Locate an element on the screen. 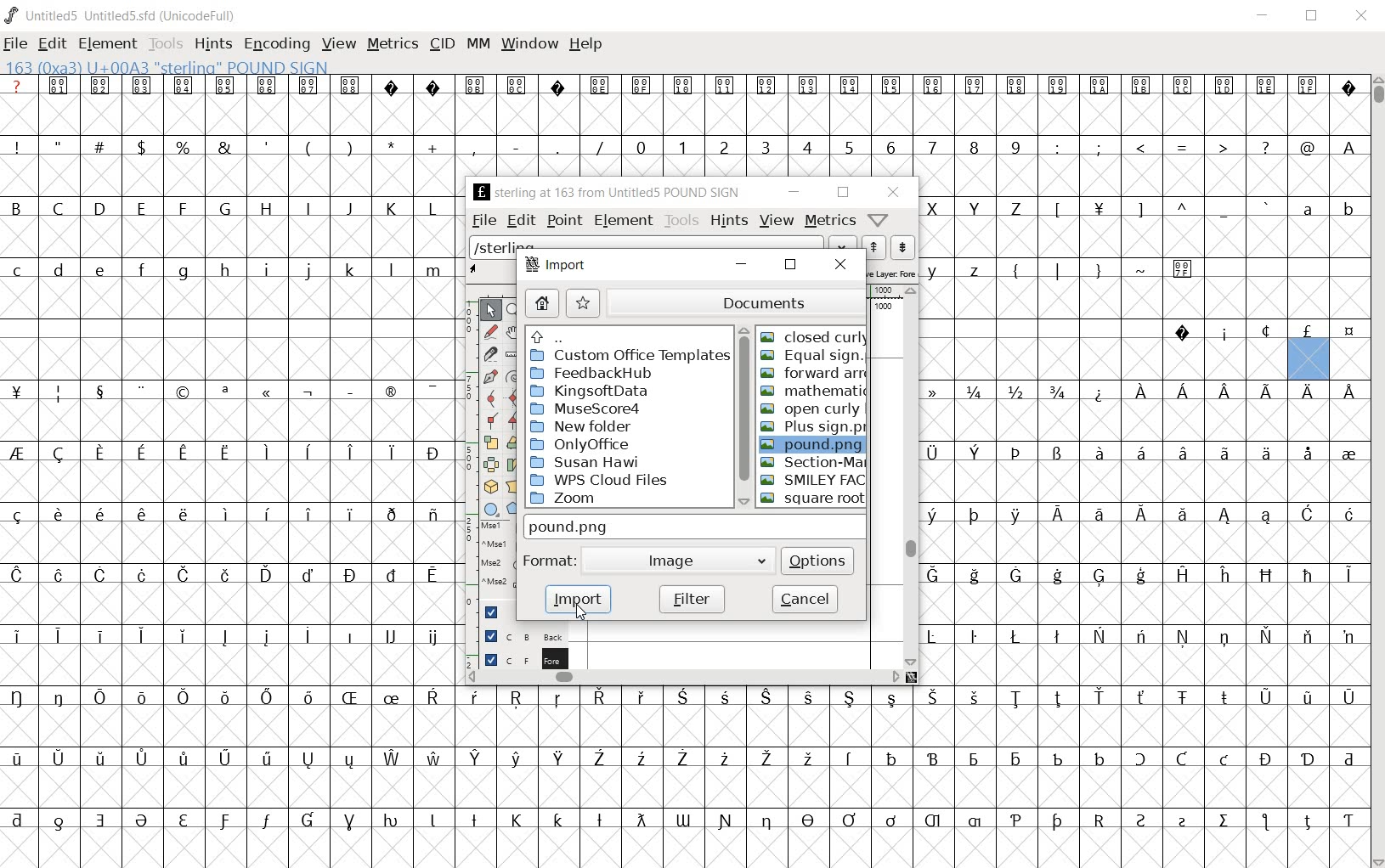  OnlyOffice is located at coordinates (585, 442).